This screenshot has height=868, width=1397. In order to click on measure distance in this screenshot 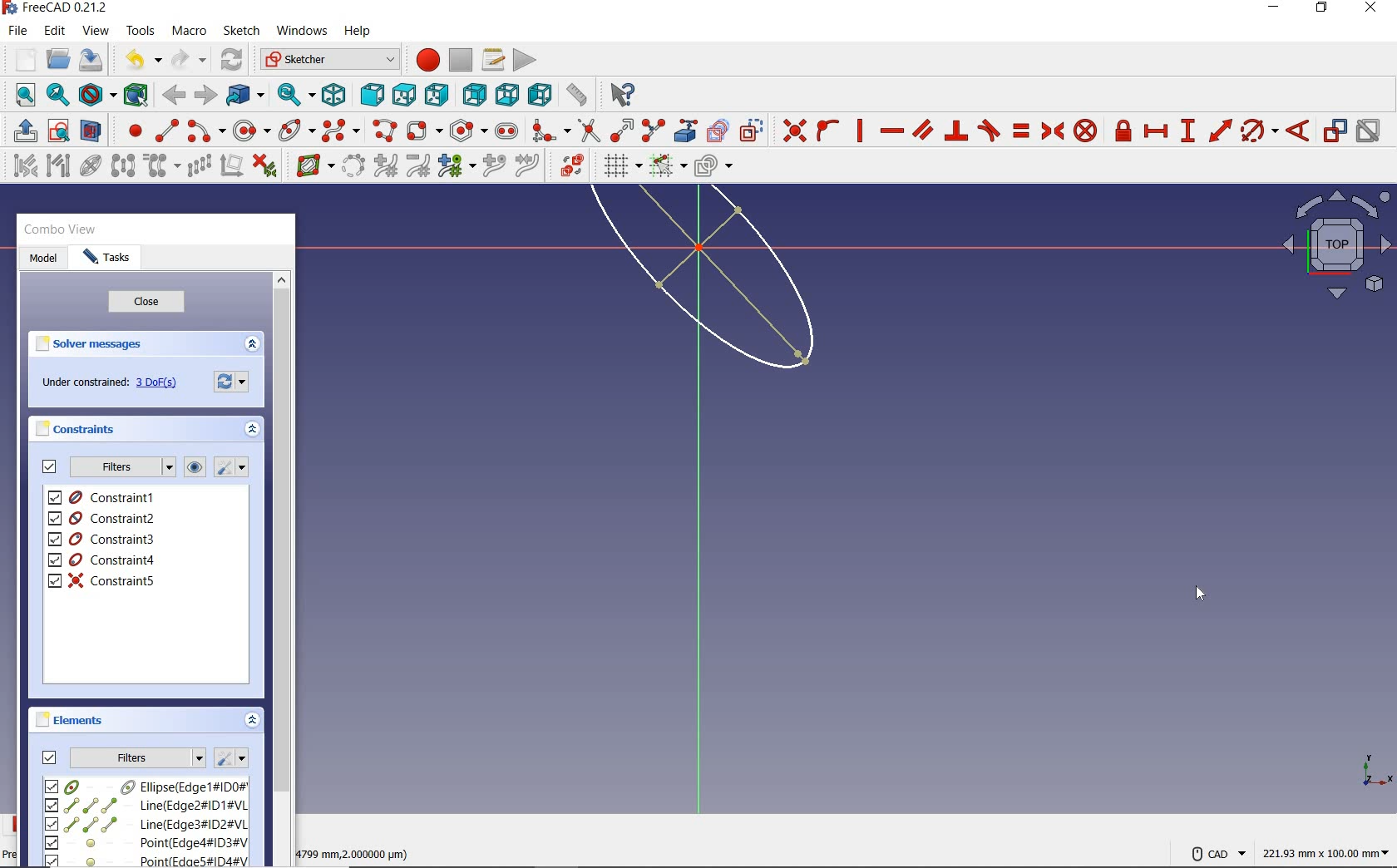, I will do `click(578, 92)`.